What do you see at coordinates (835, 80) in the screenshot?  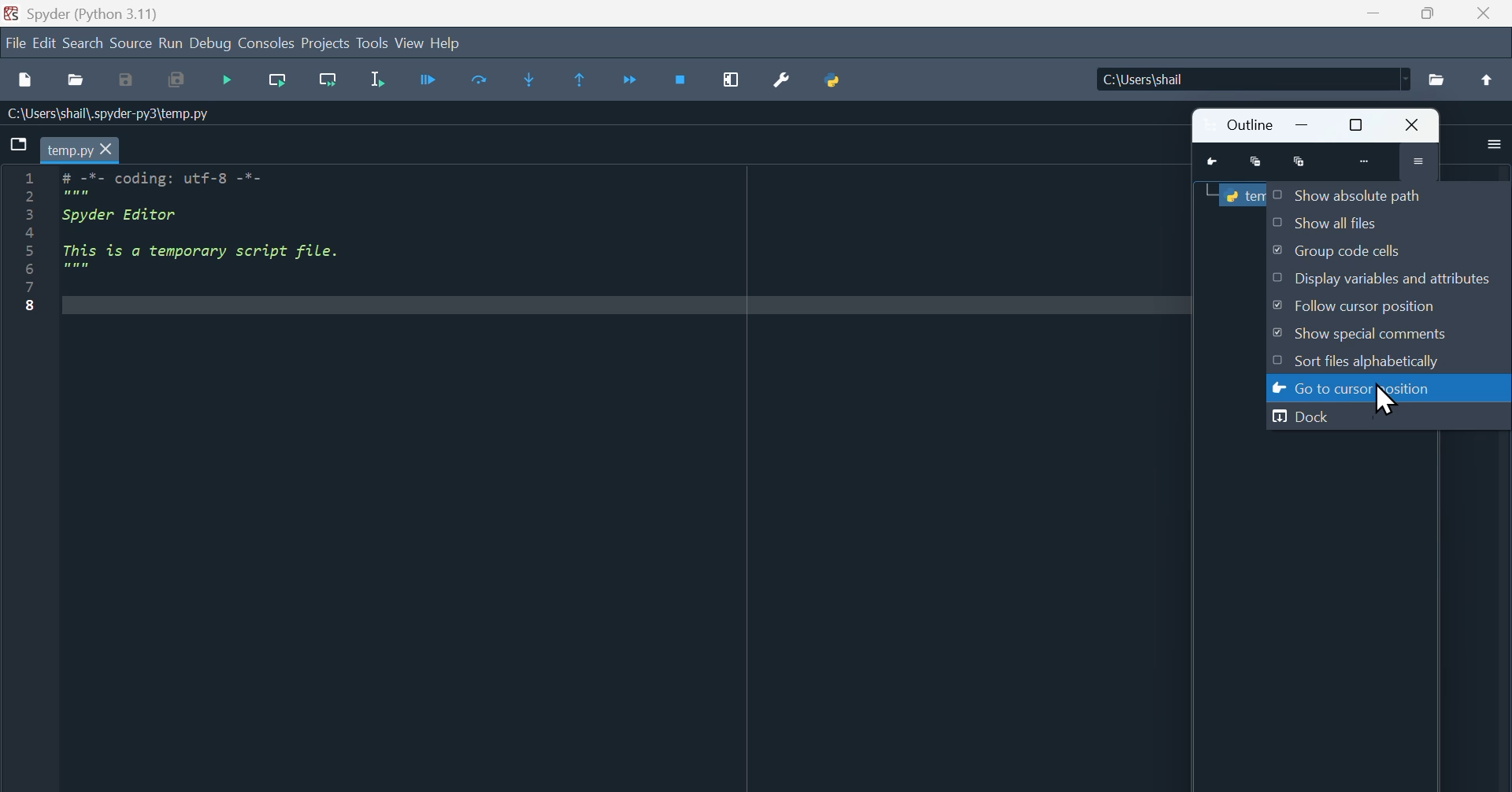 I see `Python path manager` at bounding box center [835, 80].